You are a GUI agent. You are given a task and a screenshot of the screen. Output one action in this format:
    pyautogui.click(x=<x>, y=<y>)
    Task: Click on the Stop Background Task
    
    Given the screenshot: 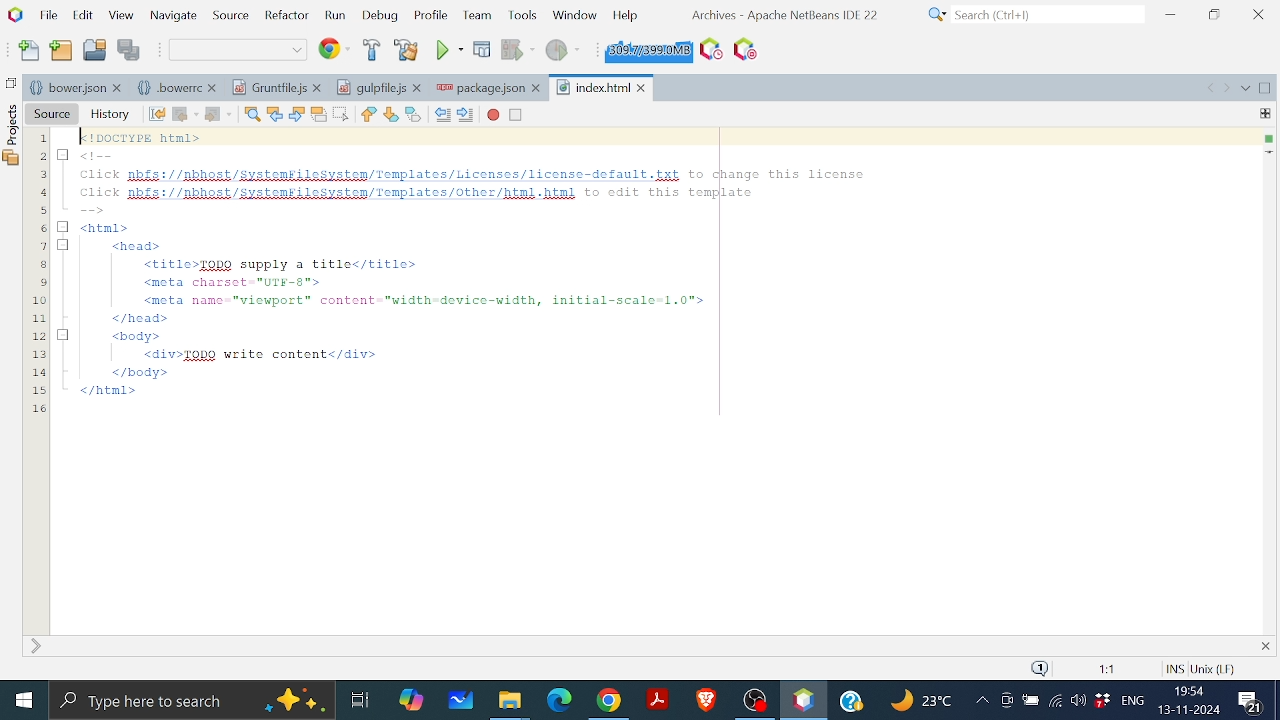 What is the action you would take?
    pyautogui.click(x=744, y=50)
    